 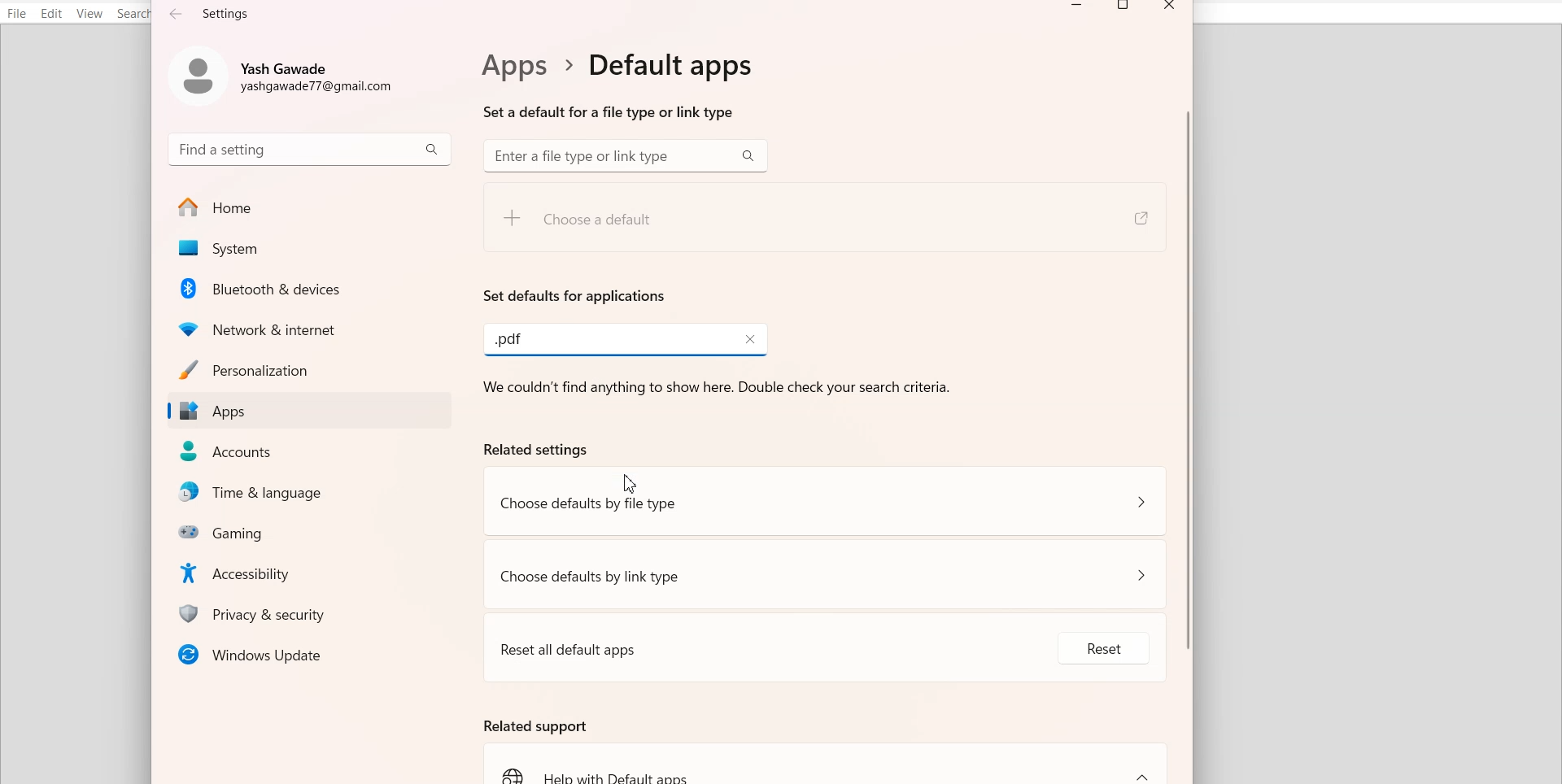 What do you see at coordinates (630, 483) in the screenshot?
I see `Cursor` at bounding box center [630, 483].